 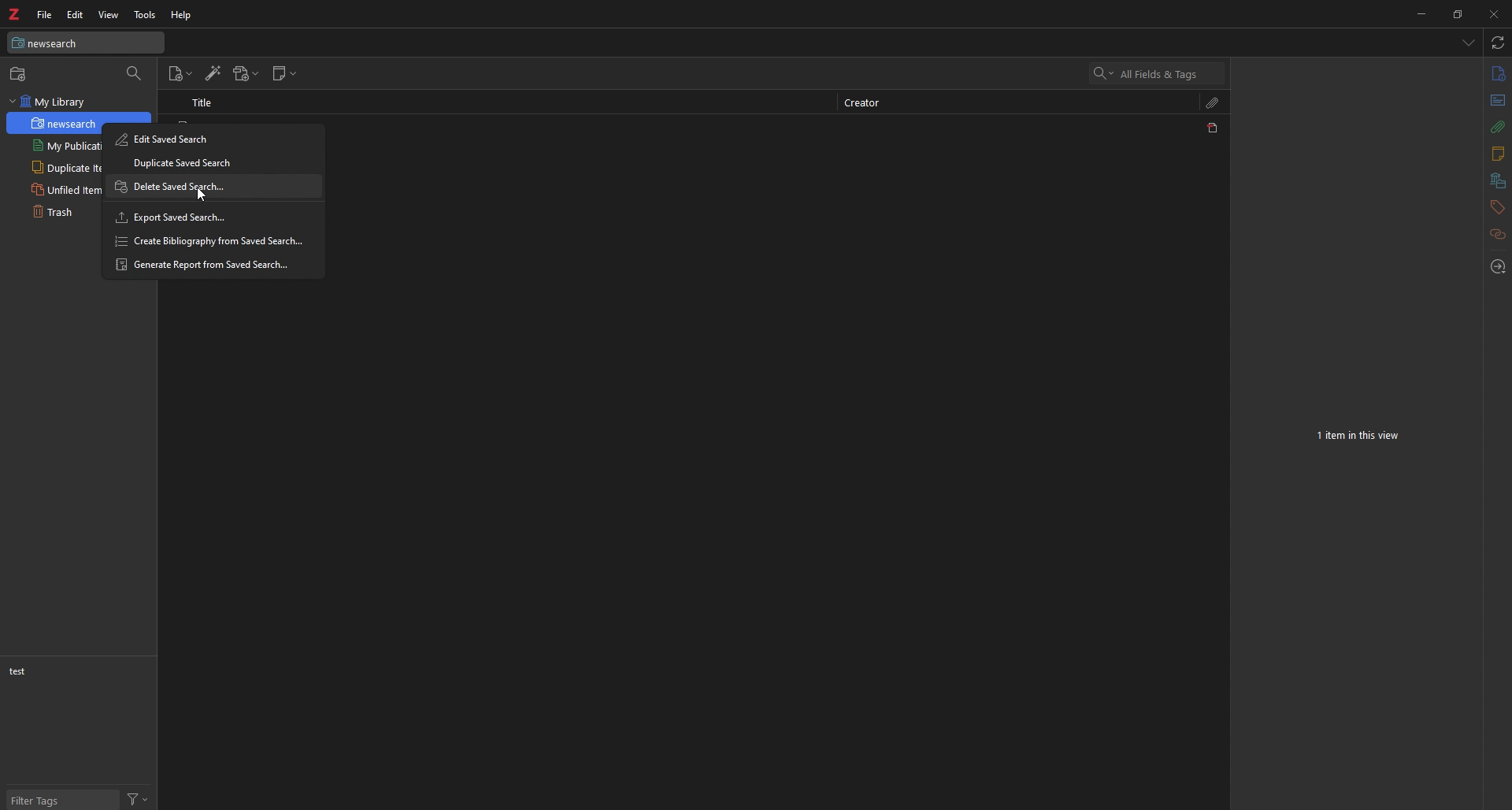 I want to click on 7 items in this view, so click(x=1358, y=434).